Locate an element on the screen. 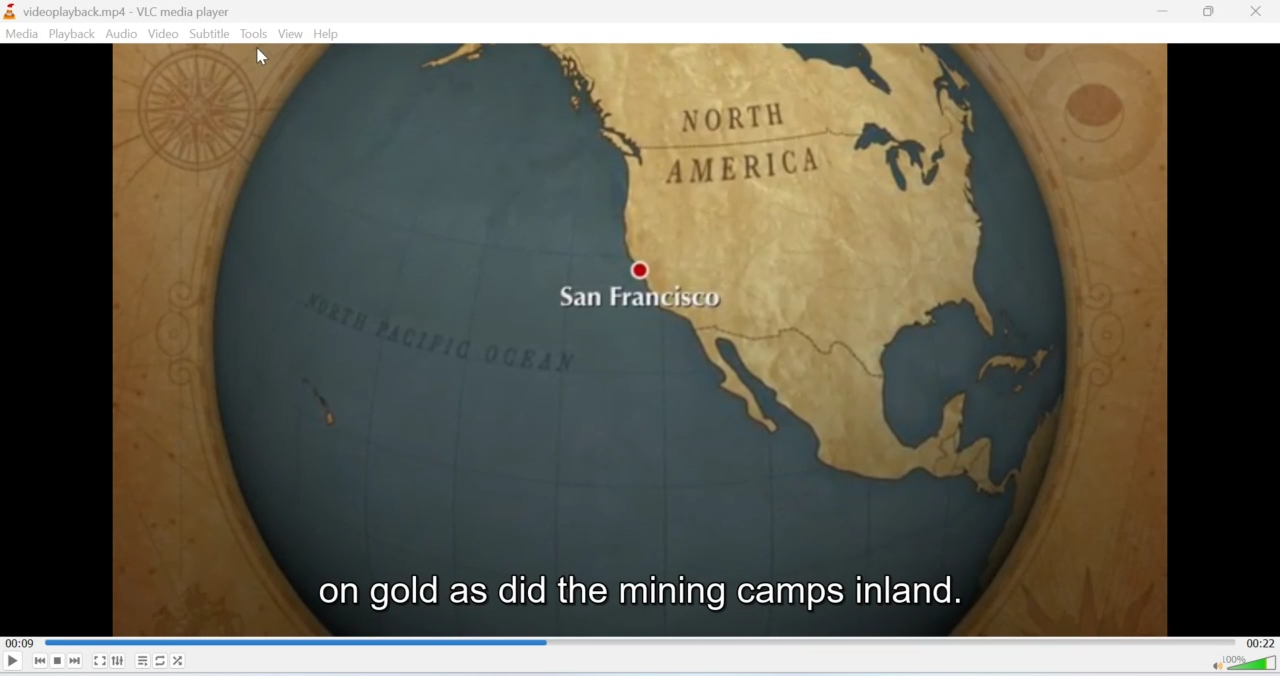 The height and width of the screenshot is (676, 1280). Subtitle is located at coordinates (209, 35).